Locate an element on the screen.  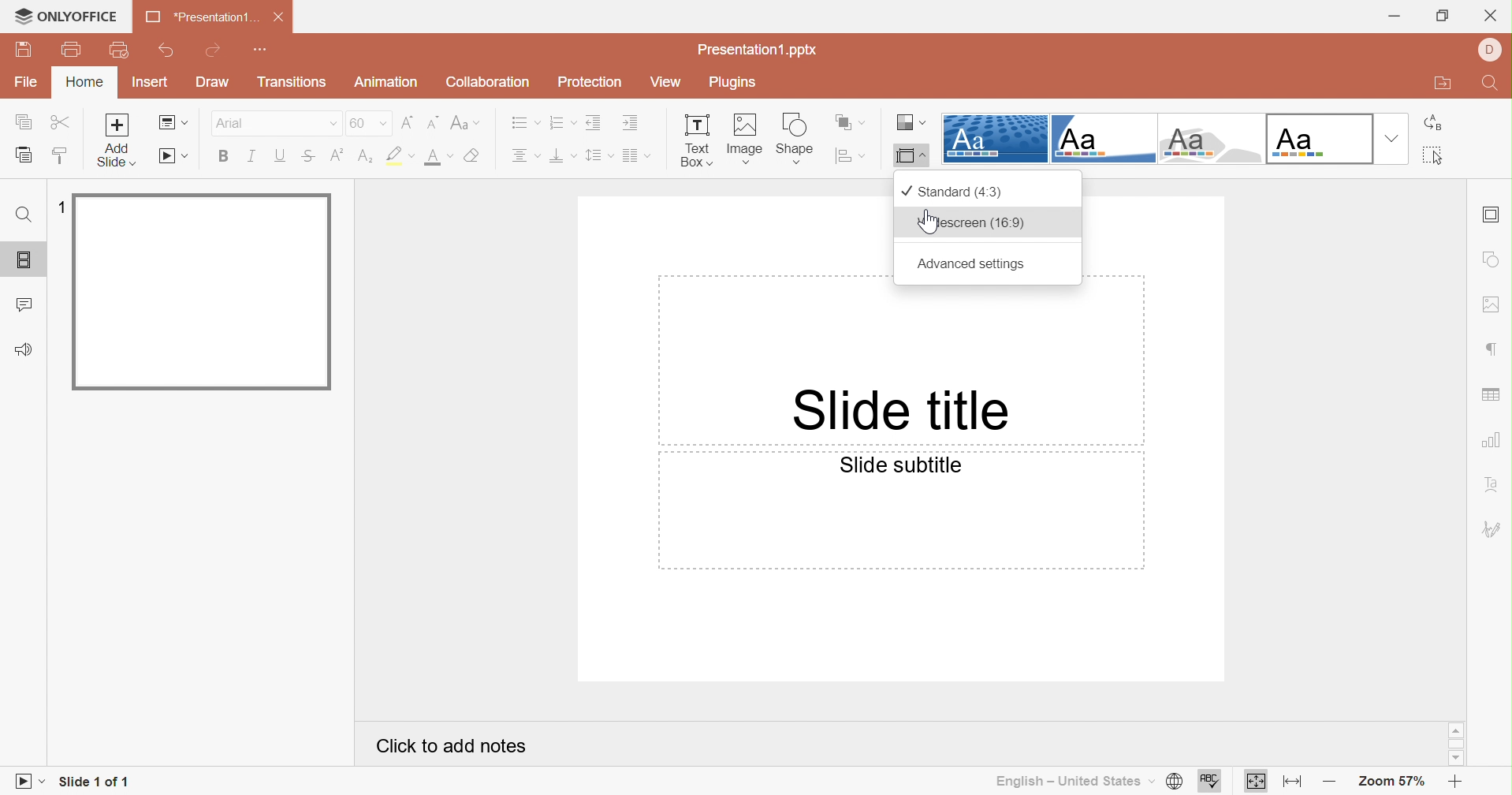
Font color is located at coordinates (438, 157).